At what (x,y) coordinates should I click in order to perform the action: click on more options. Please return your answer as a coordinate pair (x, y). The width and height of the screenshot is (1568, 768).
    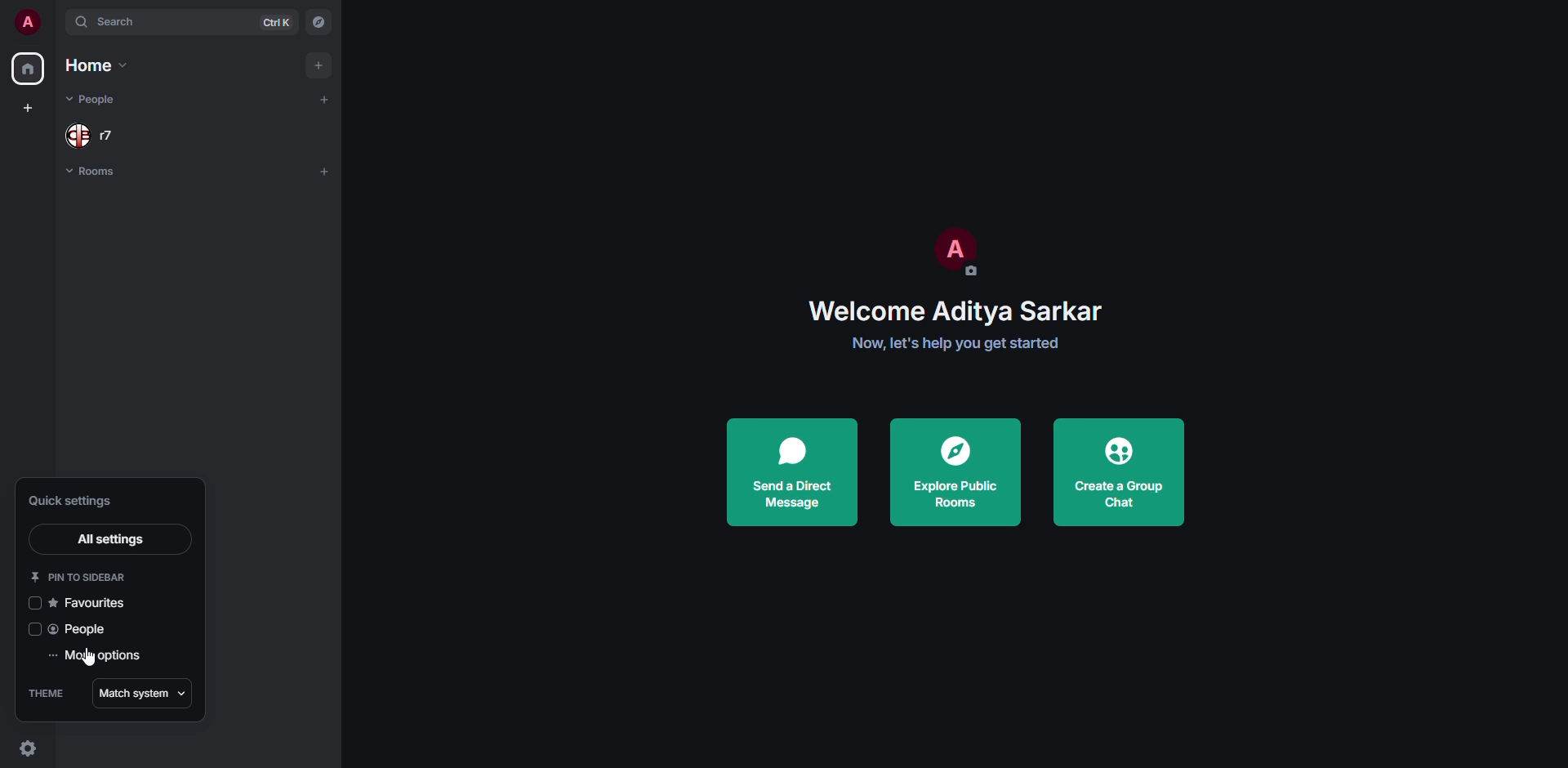
    Looking at the image, I should click on (100, 654).